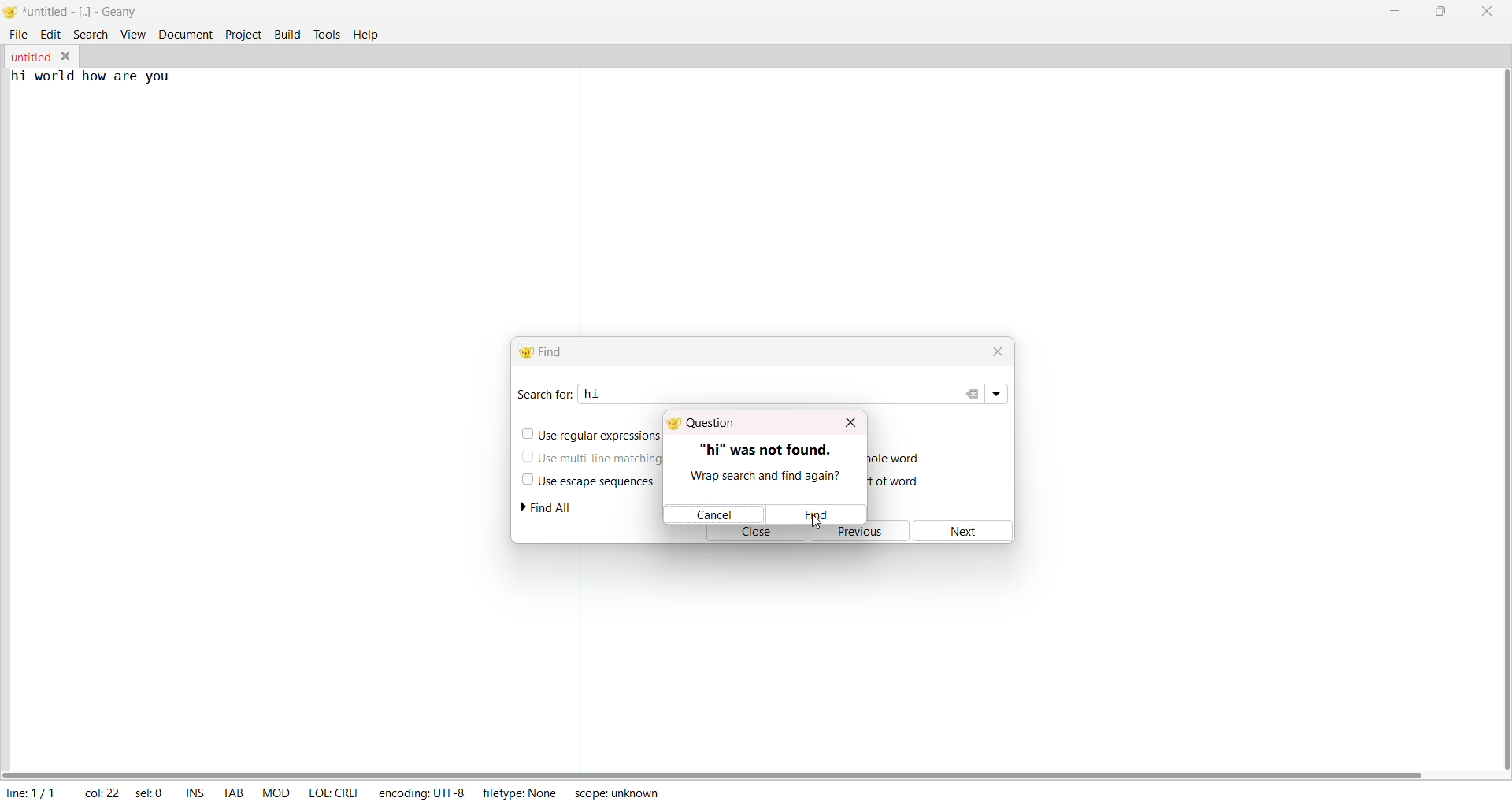 This screenshot has height=802, width=1512. What do you see at coordinates (850, 423) in the screenshot?
I see `close dialog` at bounding box center [850, 423].